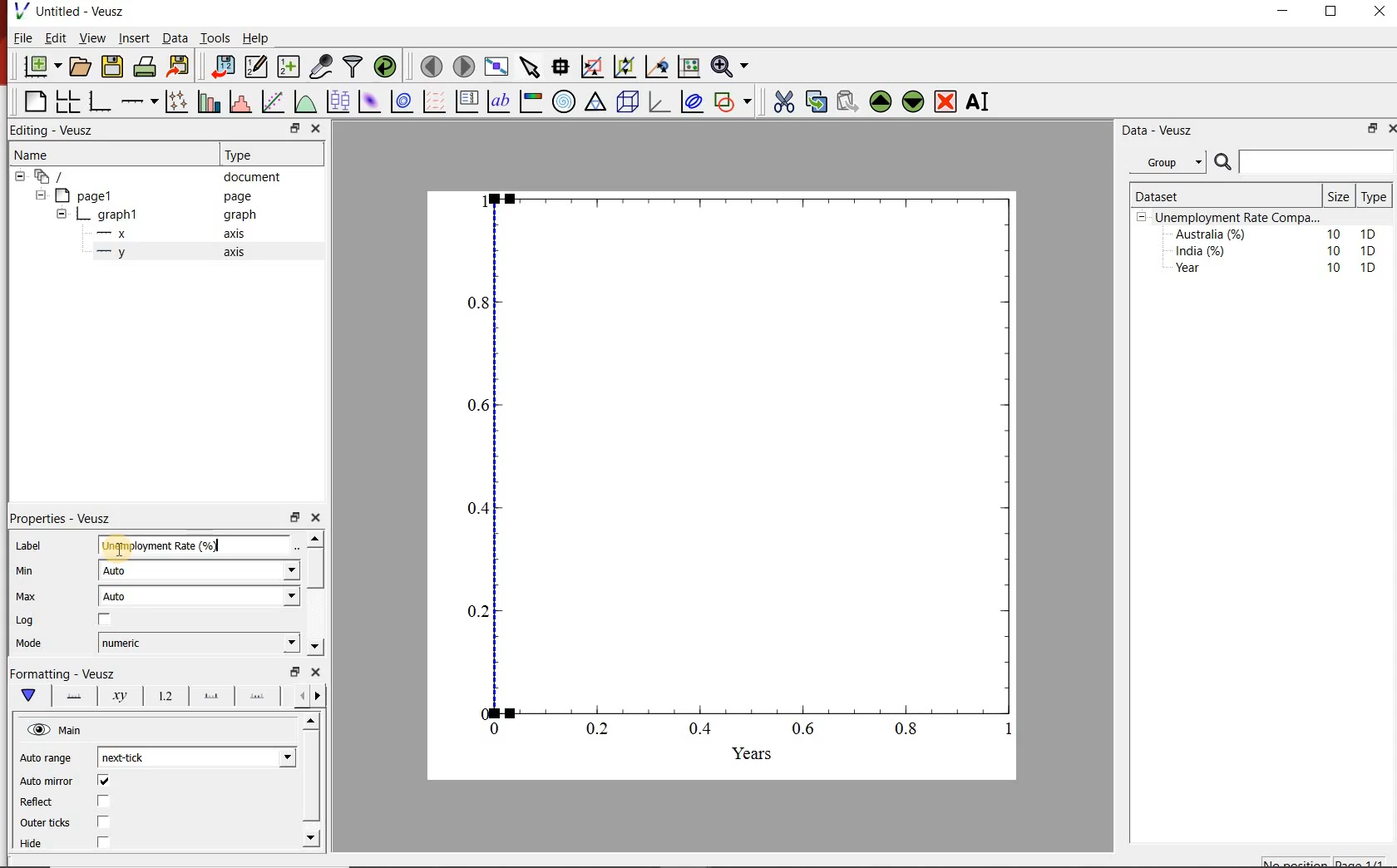 The height and width of the screenshot is (868, 1397). Describe the element at coordinates (1378, 15) in the screenshot. I see `close` at that location.